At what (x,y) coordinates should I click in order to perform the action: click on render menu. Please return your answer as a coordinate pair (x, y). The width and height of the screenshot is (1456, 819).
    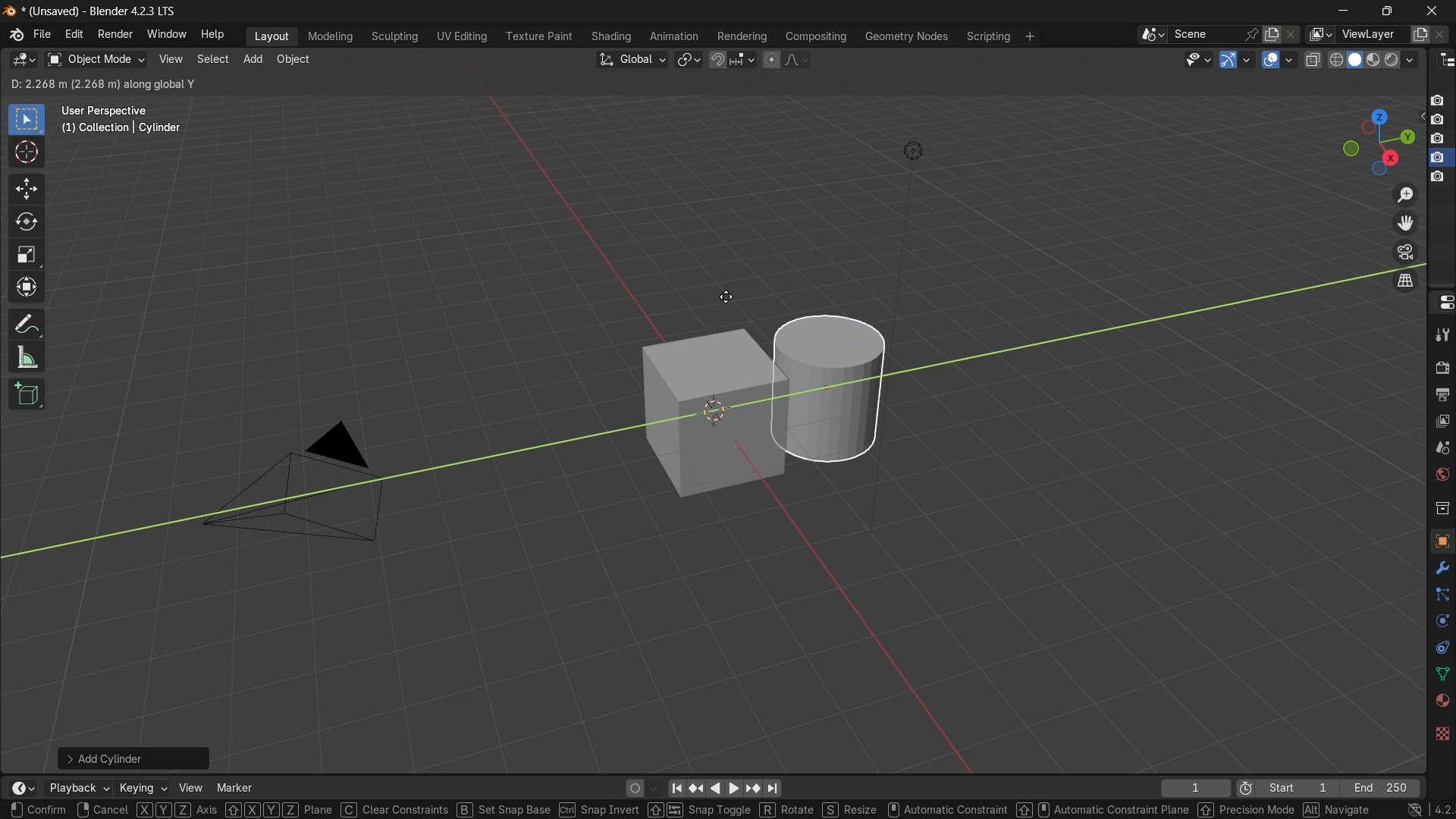
    Looking at the image, I should click on (114, 36).